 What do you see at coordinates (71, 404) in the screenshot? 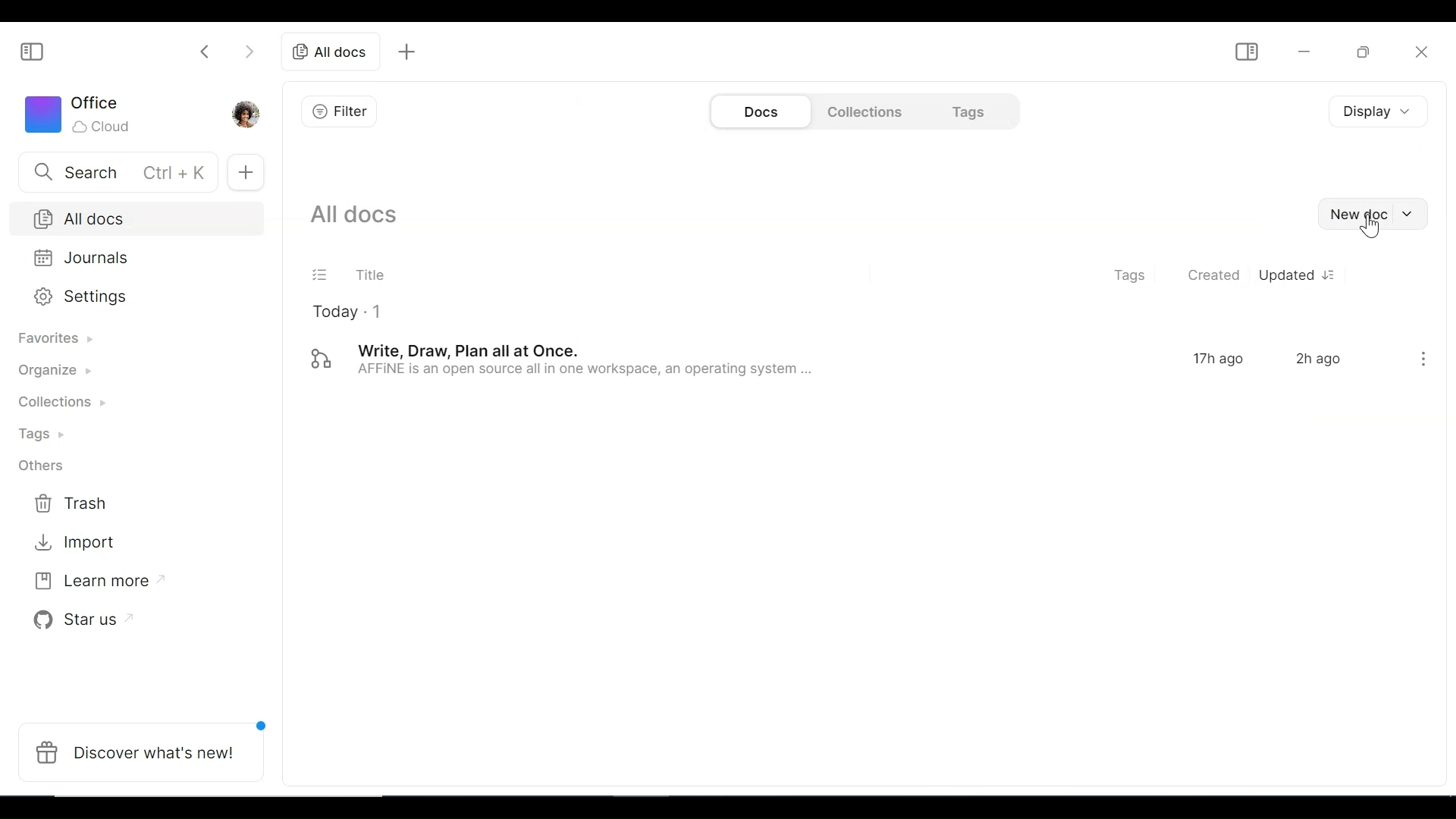
I see `Collections` at bounding box center [71, 404].